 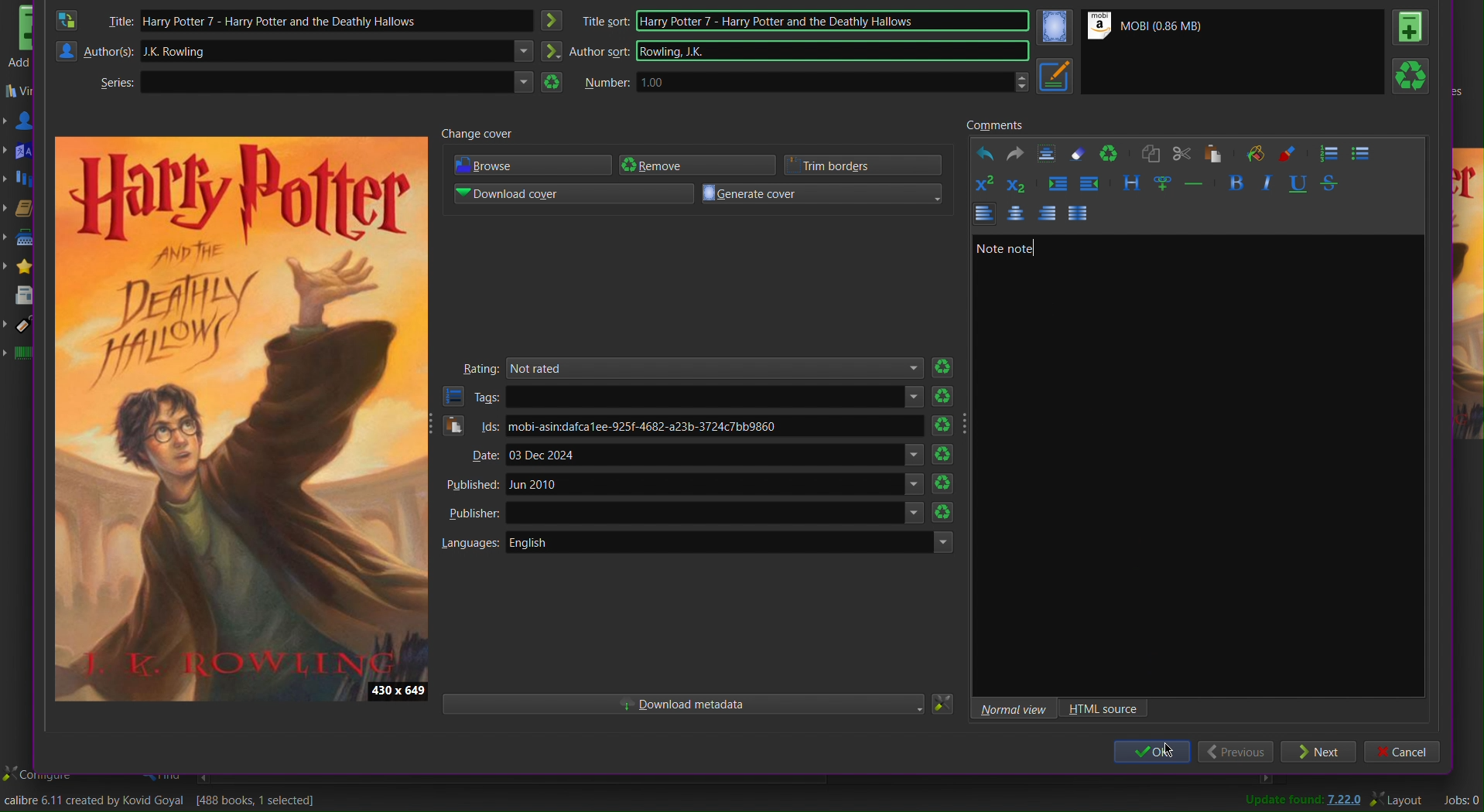 I want to click on Centre Align, so click(x=1014, y=214).